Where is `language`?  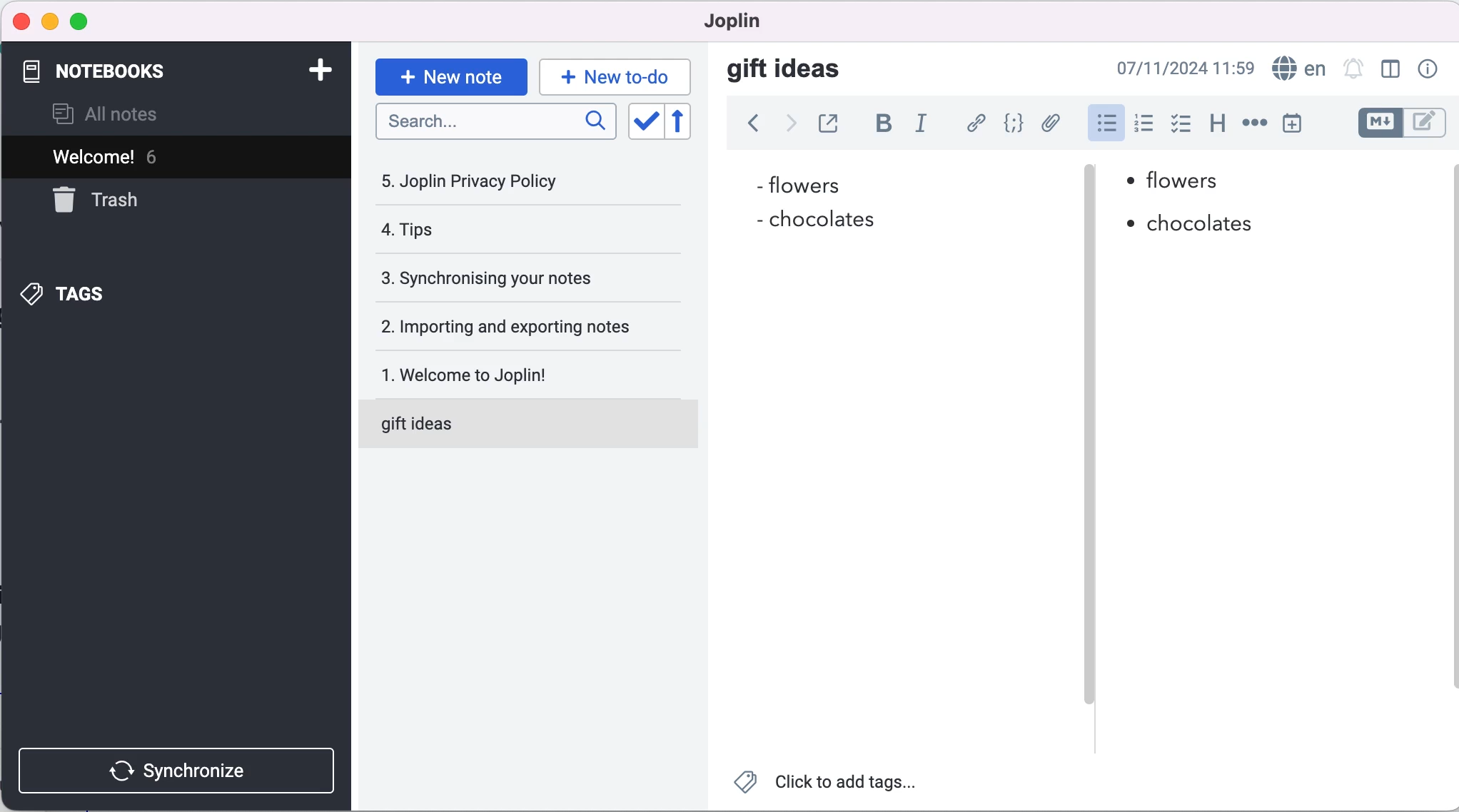
language is located at coordinates (1298, 69).